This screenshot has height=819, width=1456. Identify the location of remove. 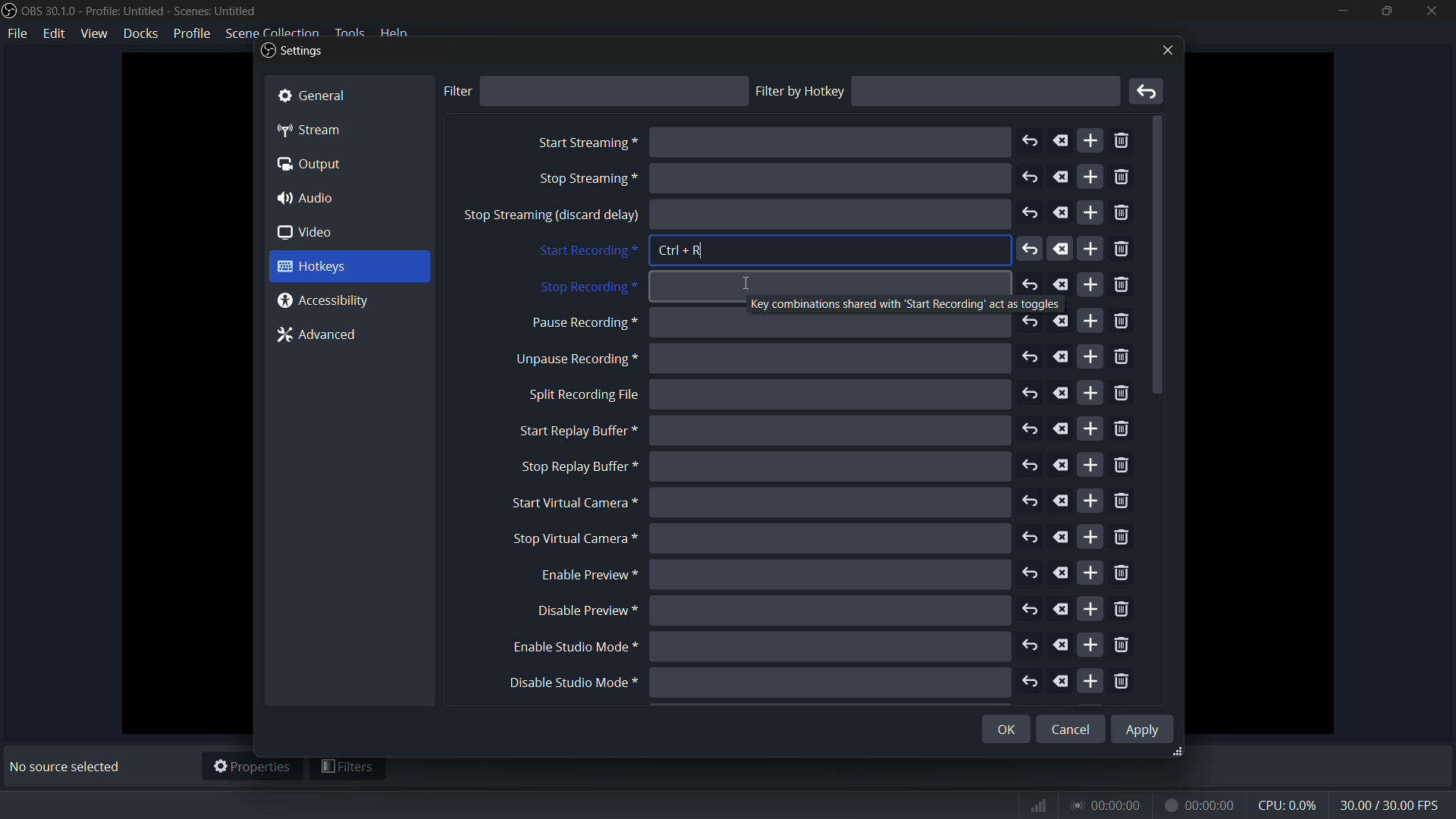
(1122, 646).